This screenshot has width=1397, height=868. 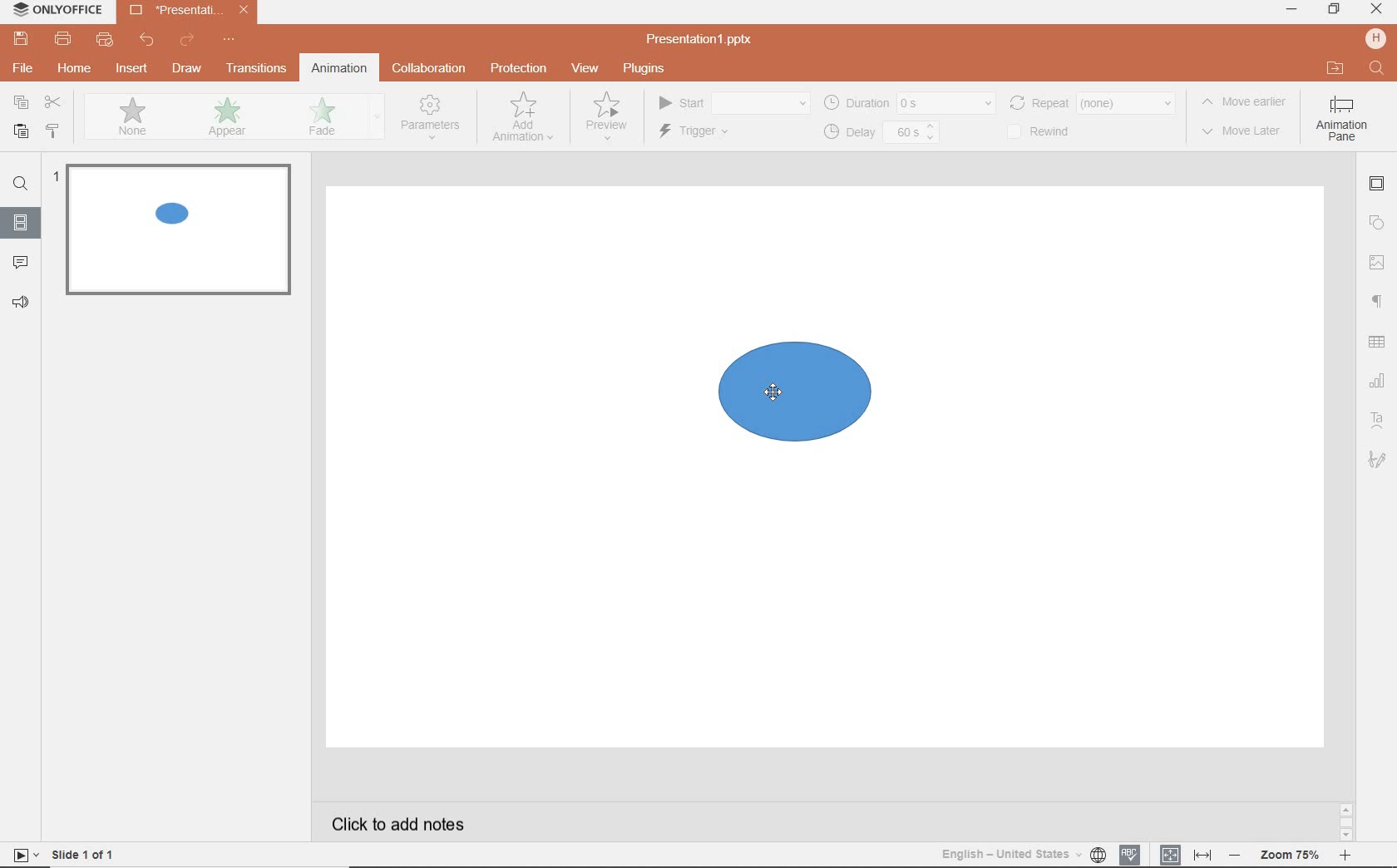 What do you see at coordinates (1291, 9) in the screenshot?
I see `MINIMIZE` at bounding box center [1291, 9].